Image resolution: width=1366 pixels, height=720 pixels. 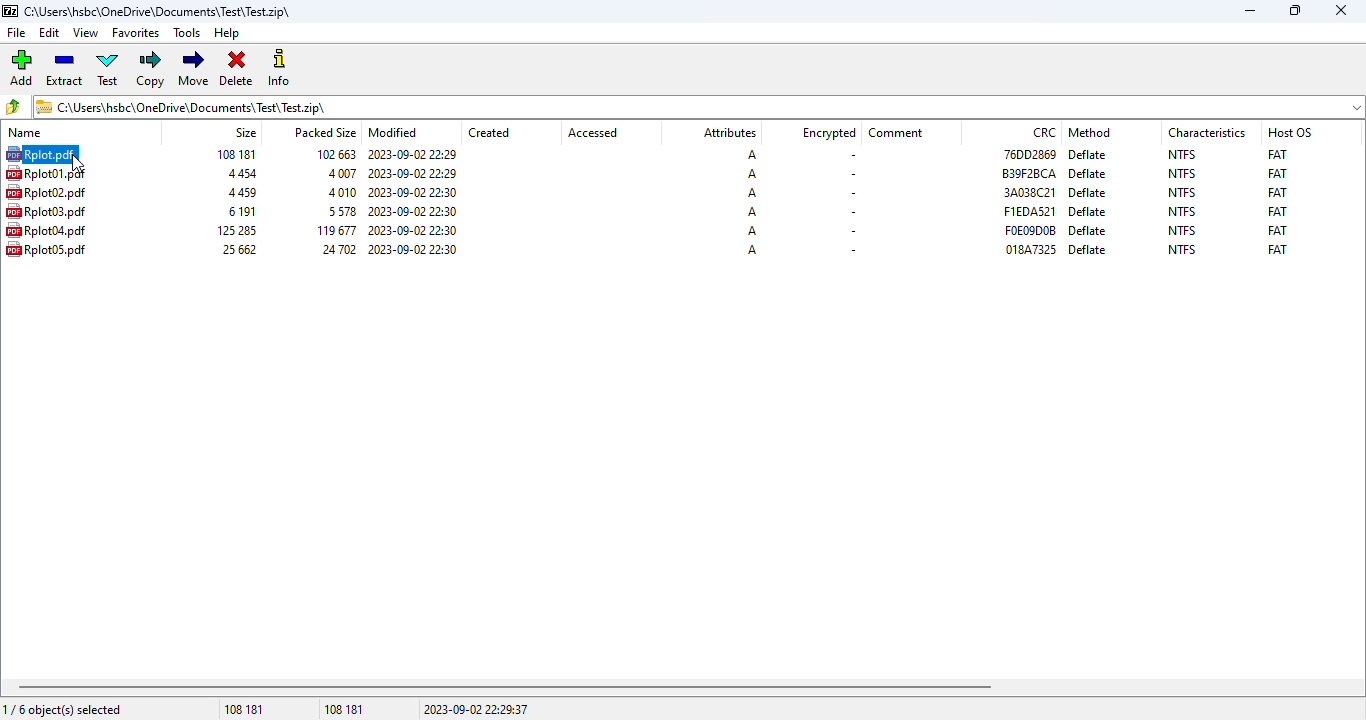 I want to click on packed size, so click(x=340, y=173).